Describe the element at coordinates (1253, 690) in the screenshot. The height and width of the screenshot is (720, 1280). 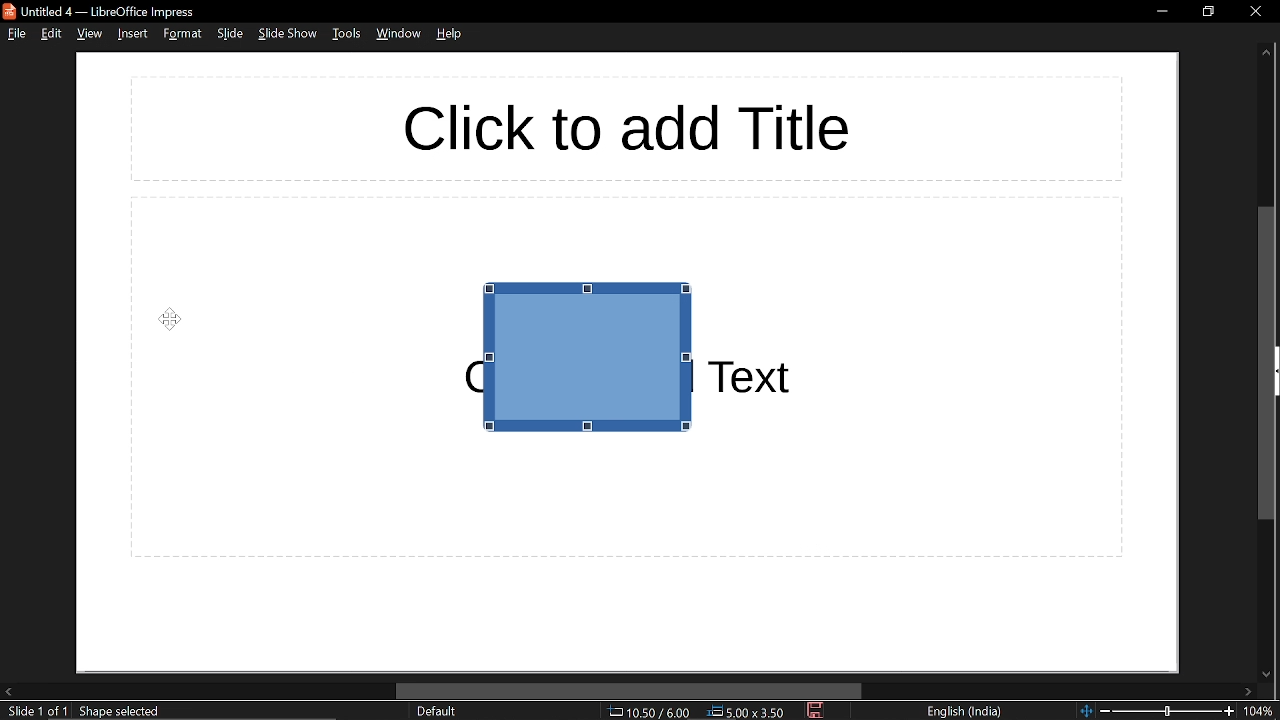
I see `move right` at that location.